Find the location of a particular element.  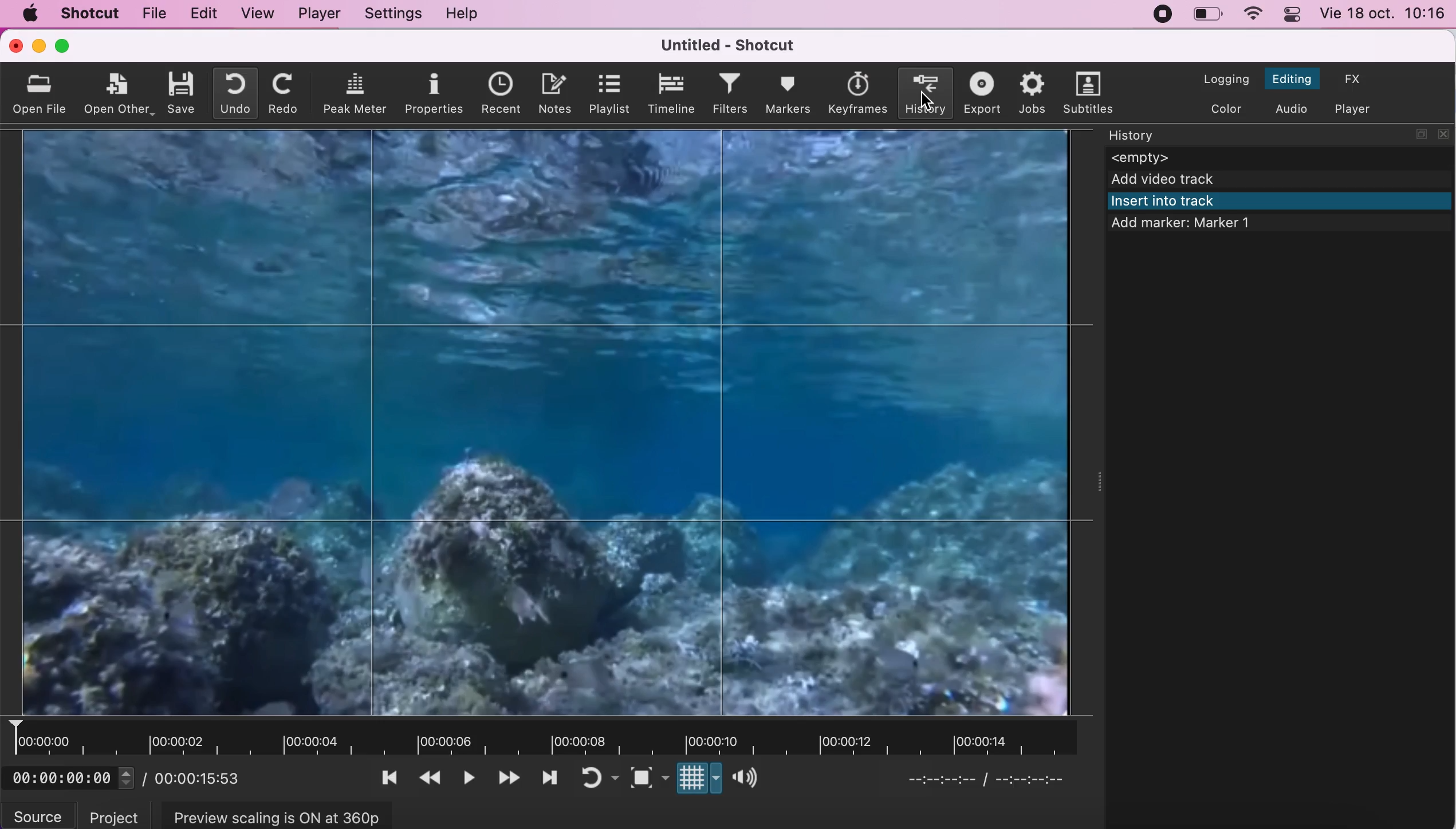

skip to the next point is located at coordinates (554, 775).